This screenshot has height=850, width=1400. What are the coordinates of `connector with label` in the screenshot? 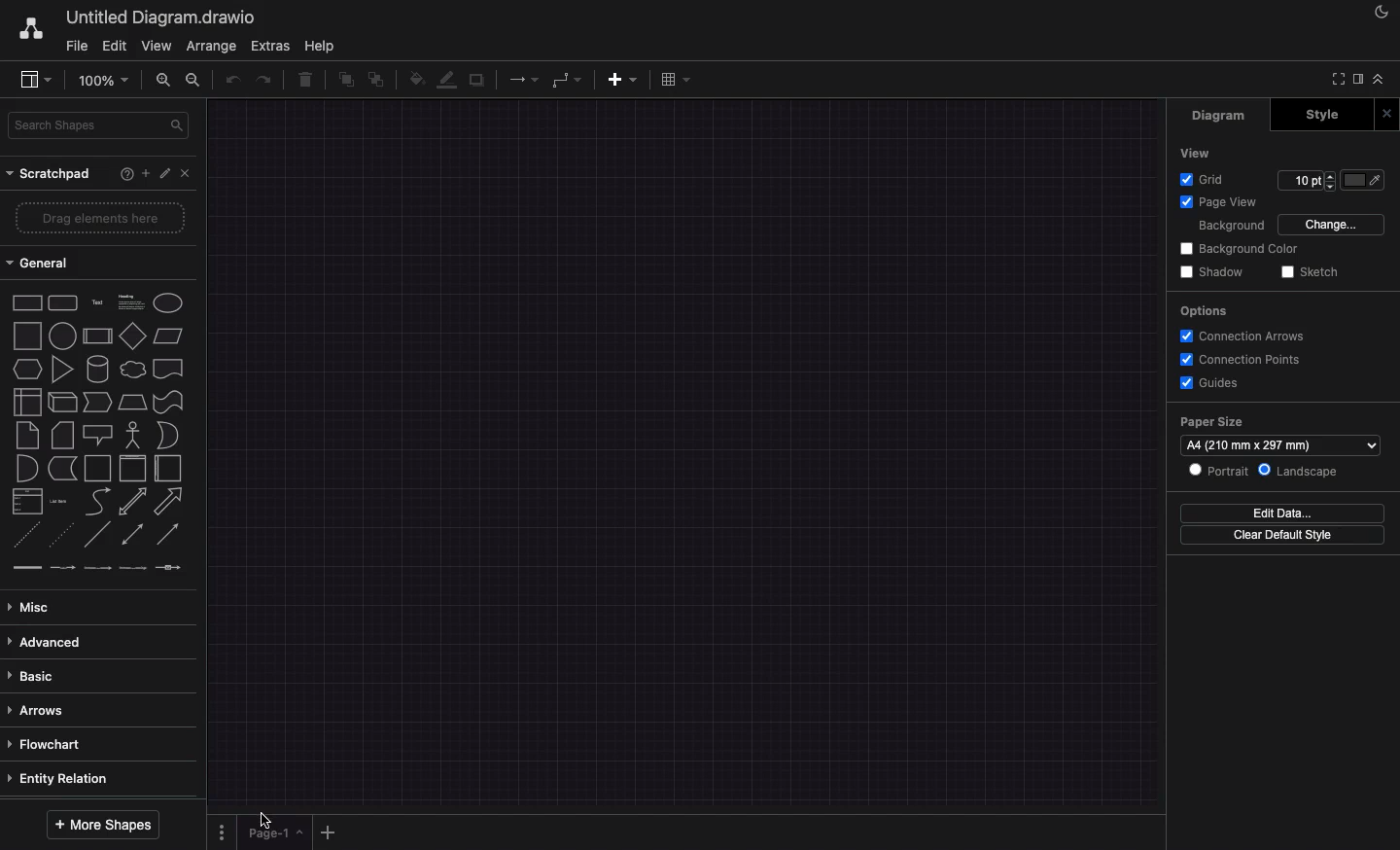 It's located at (64, 568).